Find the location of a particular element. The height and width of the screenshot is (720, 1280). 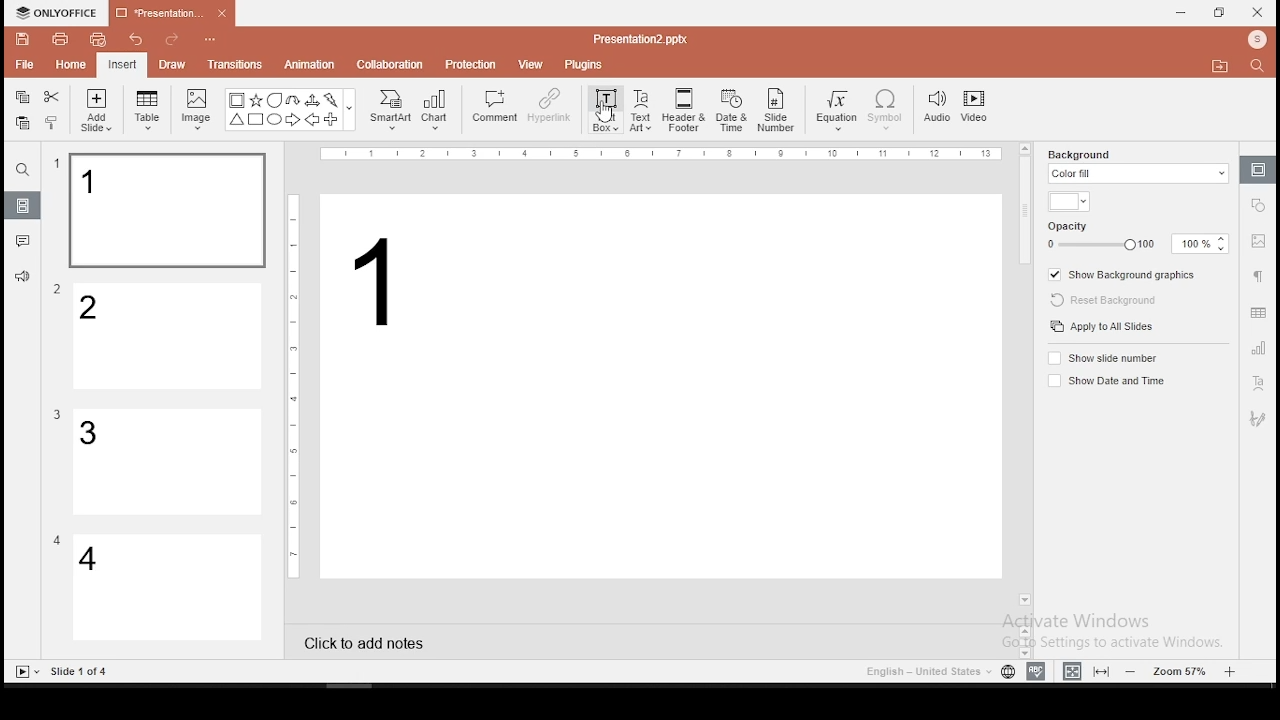

Circle is located at coordinates (276, 119).